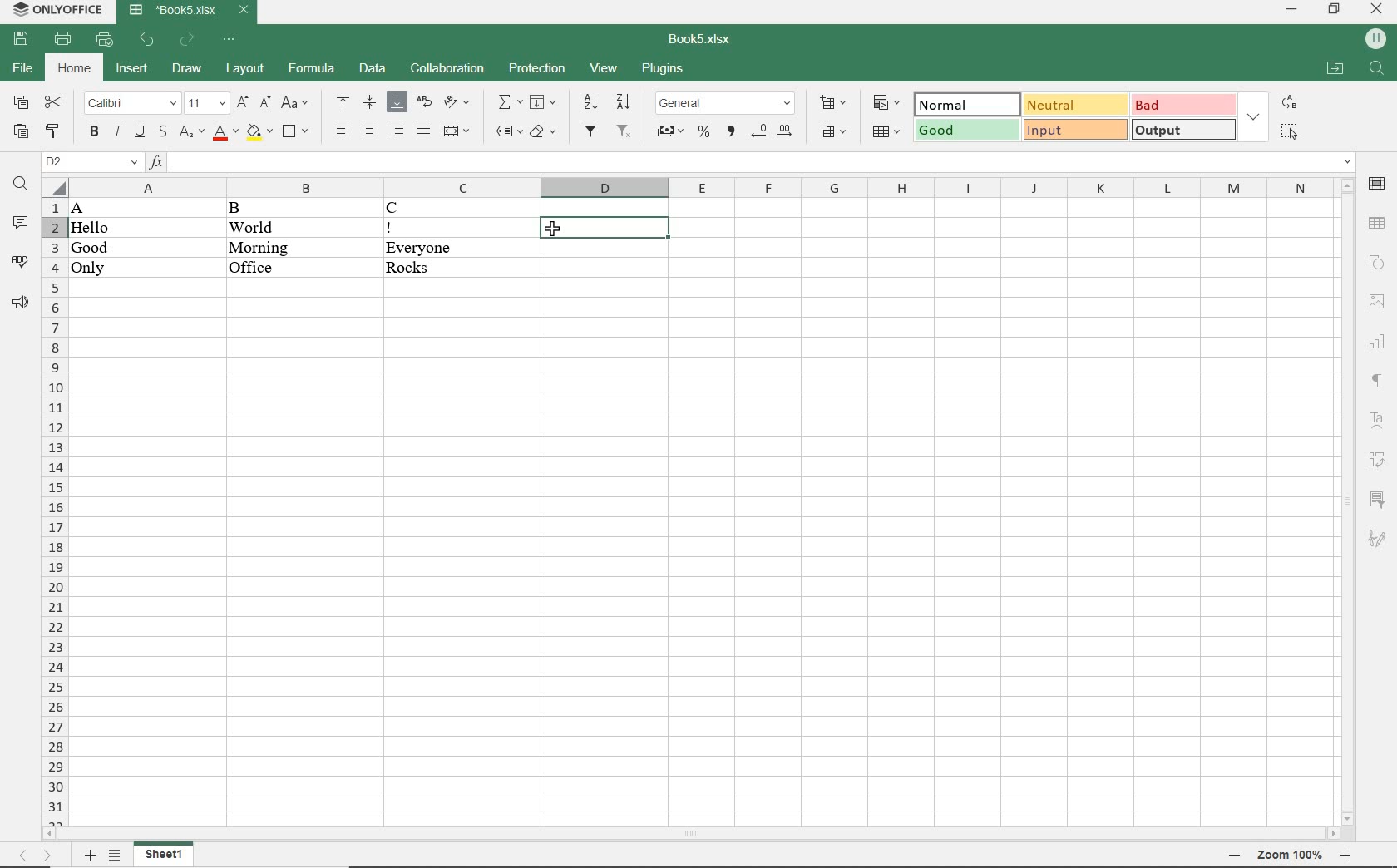 This screenshot has height=868, width=1397. I want to click on borders, so click(298, 132).